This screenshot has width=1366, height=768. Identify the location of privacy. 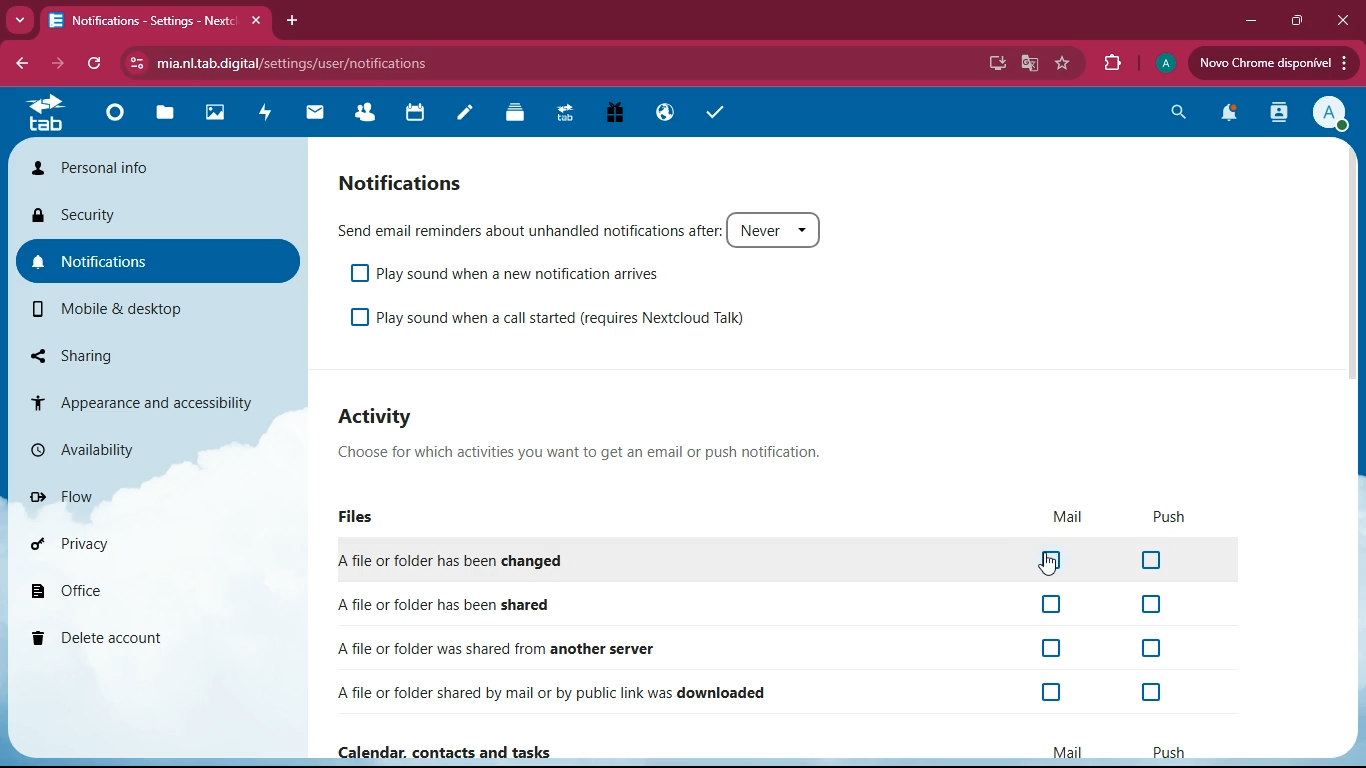
(119, 544).